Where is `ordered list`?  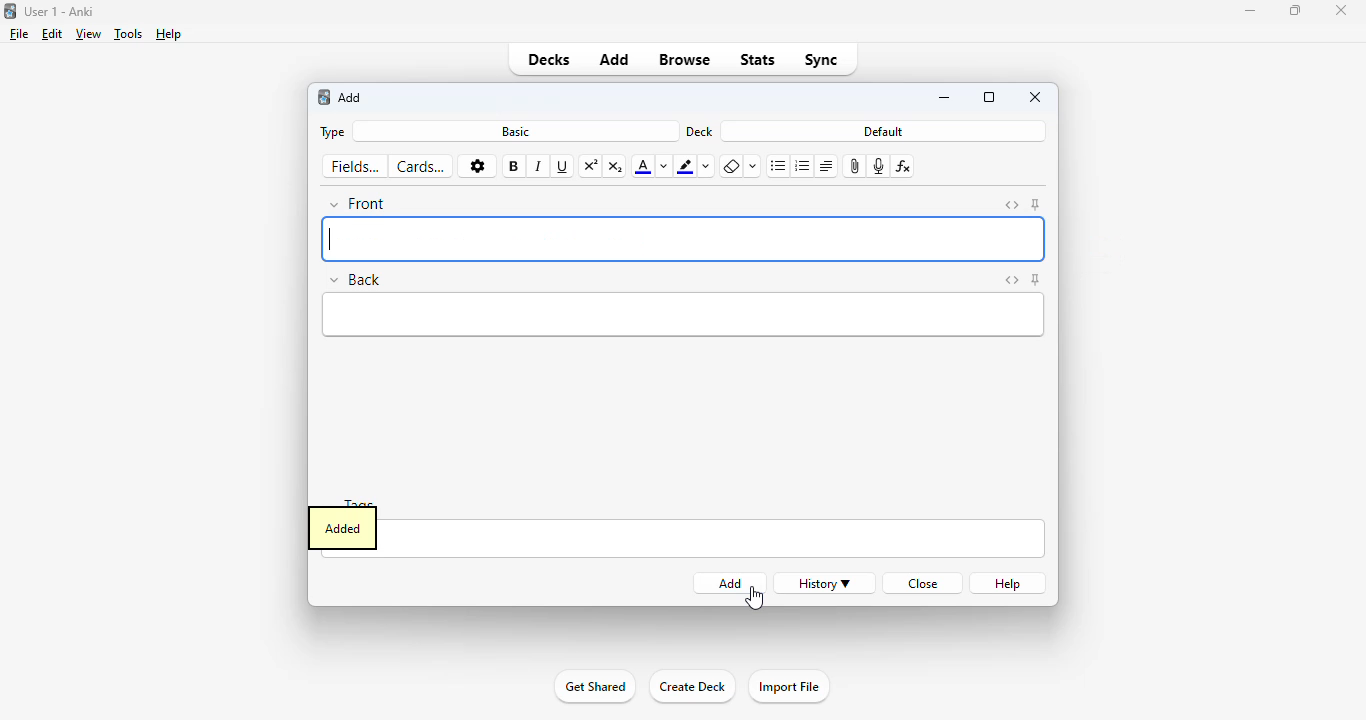
ordered list is located at coordinates (802, 167).